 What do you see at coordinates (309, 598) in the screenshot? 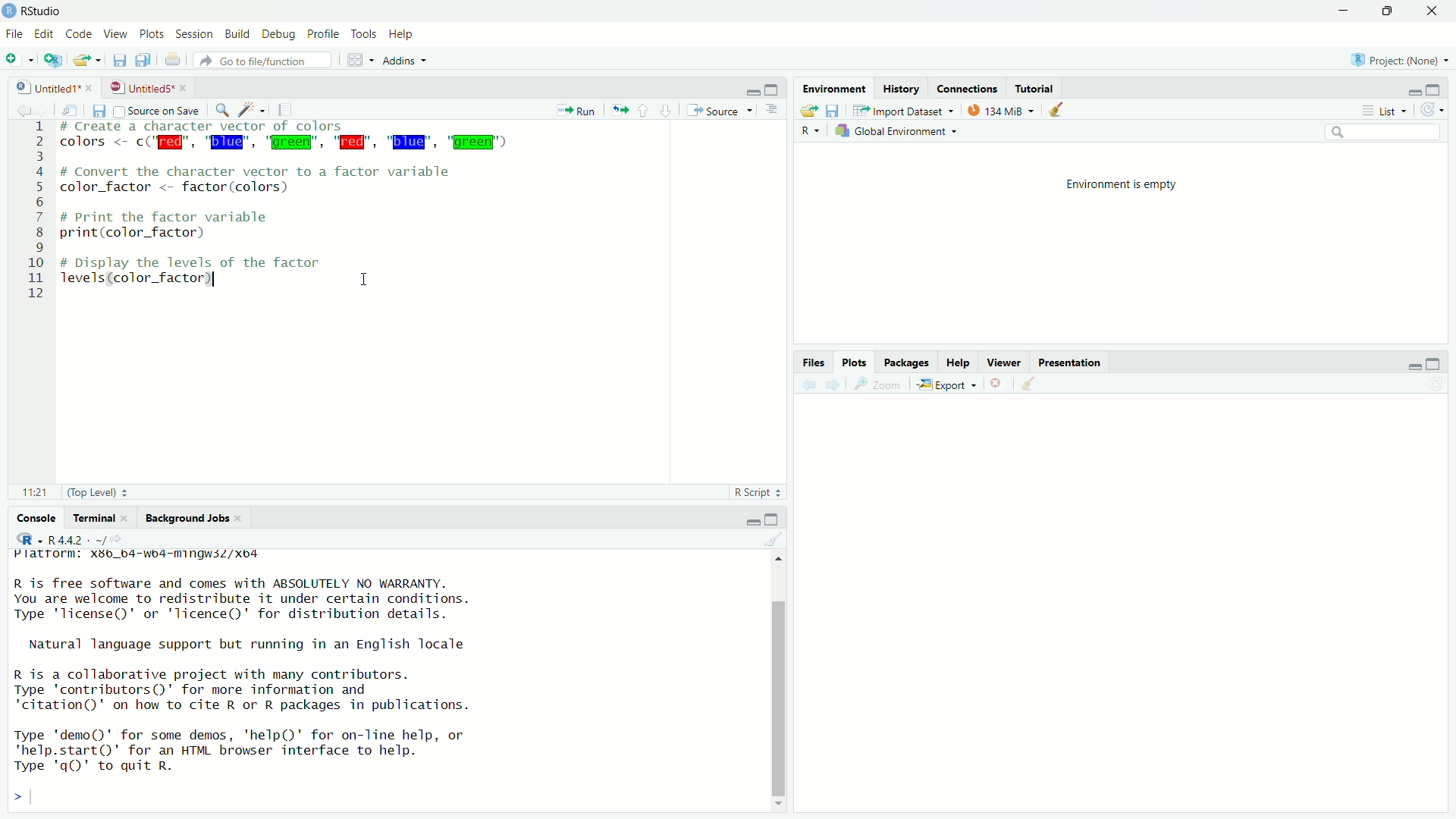
I see `R is free software and comes with ABSOLUTELY NO WARRANTY.
You are welcome to redistribute it under certain conditions.
Type 'license()' or 'lTicence()' for distribution details.` at bounding box center [309, 598].